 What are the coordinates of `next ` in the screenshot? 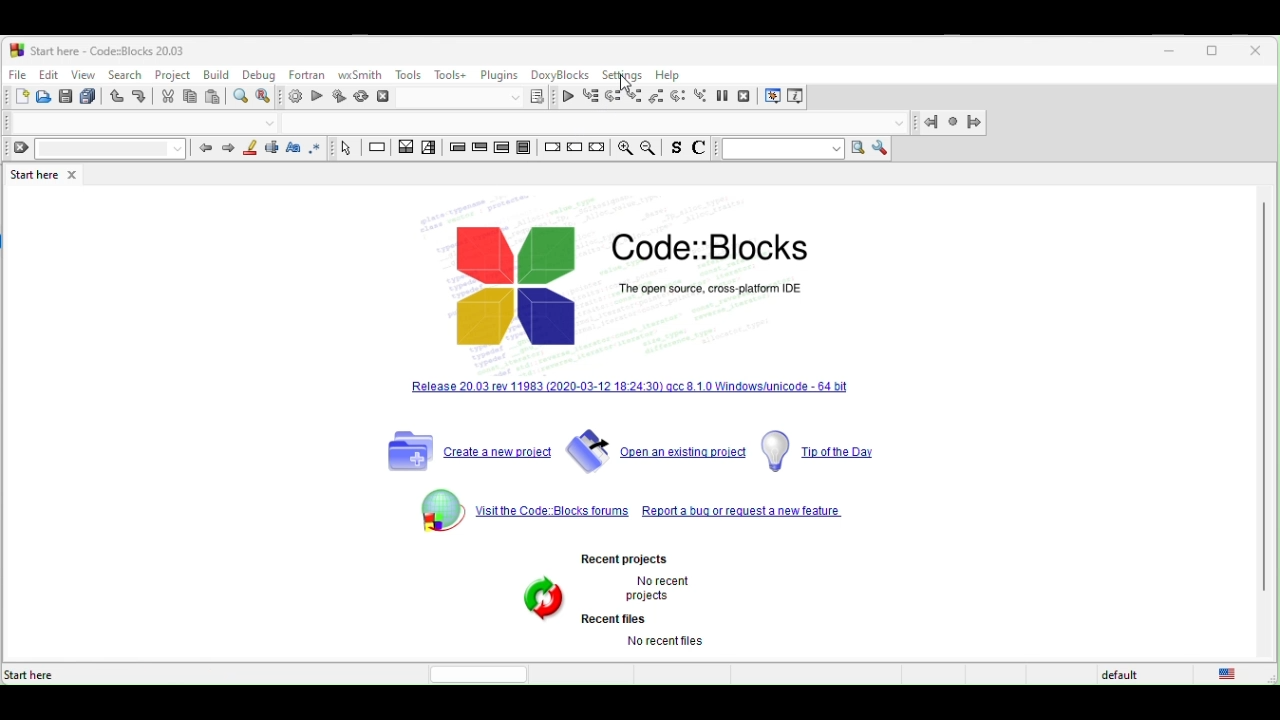 It's located at (228, 149).